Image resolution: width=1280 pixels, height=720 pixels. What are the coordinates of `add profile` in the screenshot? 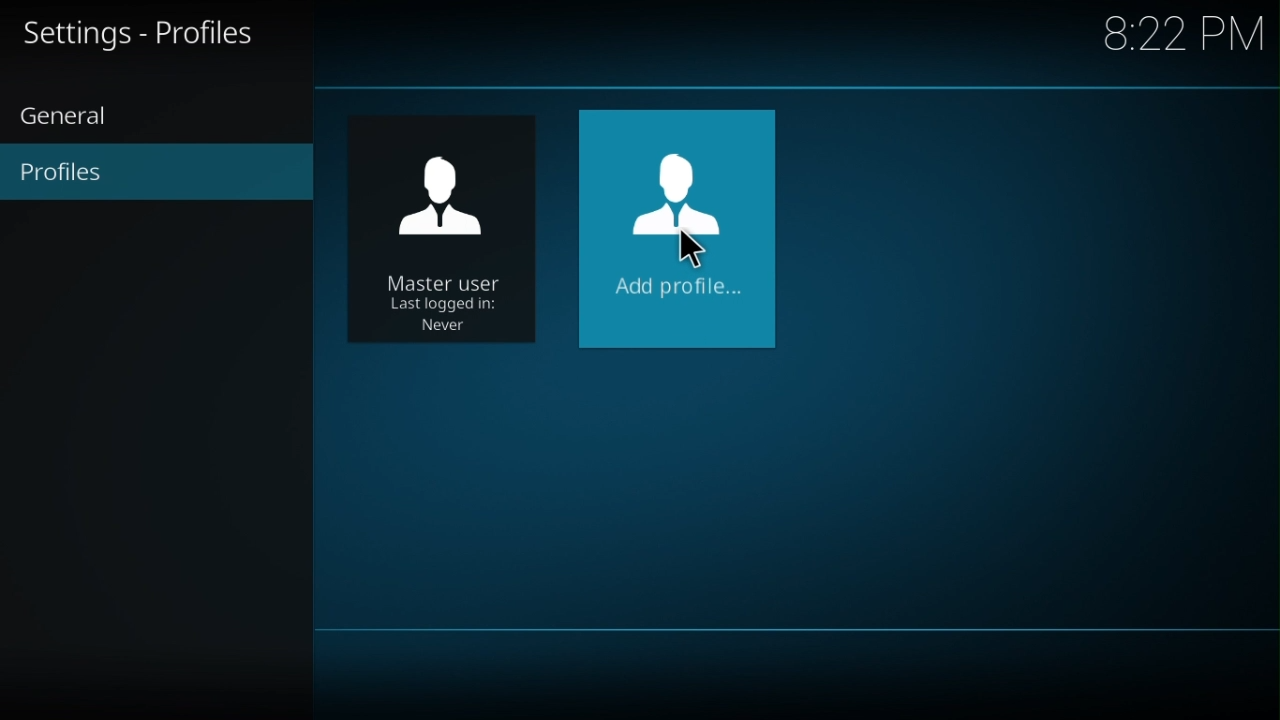 It's located at (679, 230).